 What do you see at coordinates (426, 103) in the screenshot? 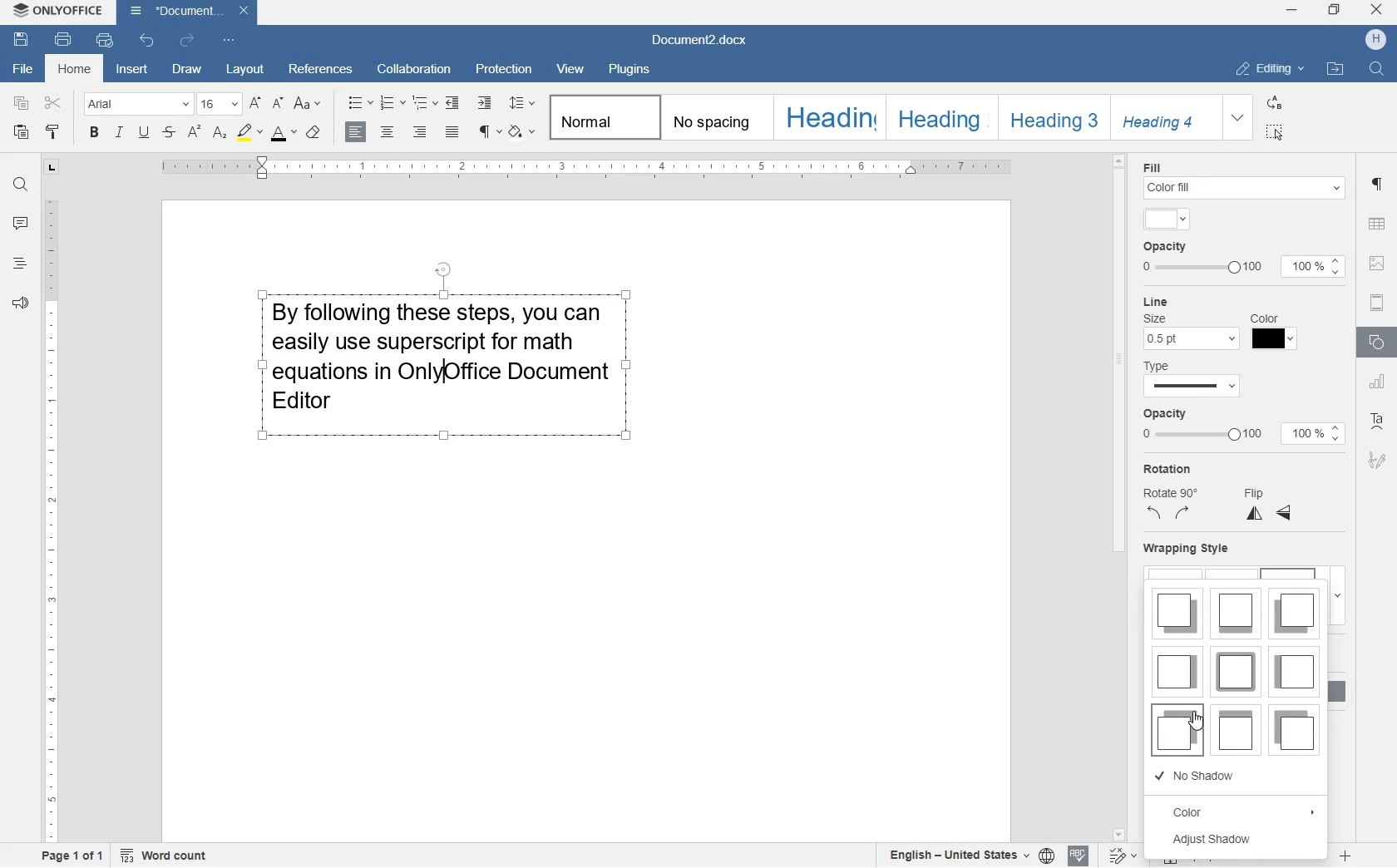
I see `multilevel list` at bounding box center [426, 103].